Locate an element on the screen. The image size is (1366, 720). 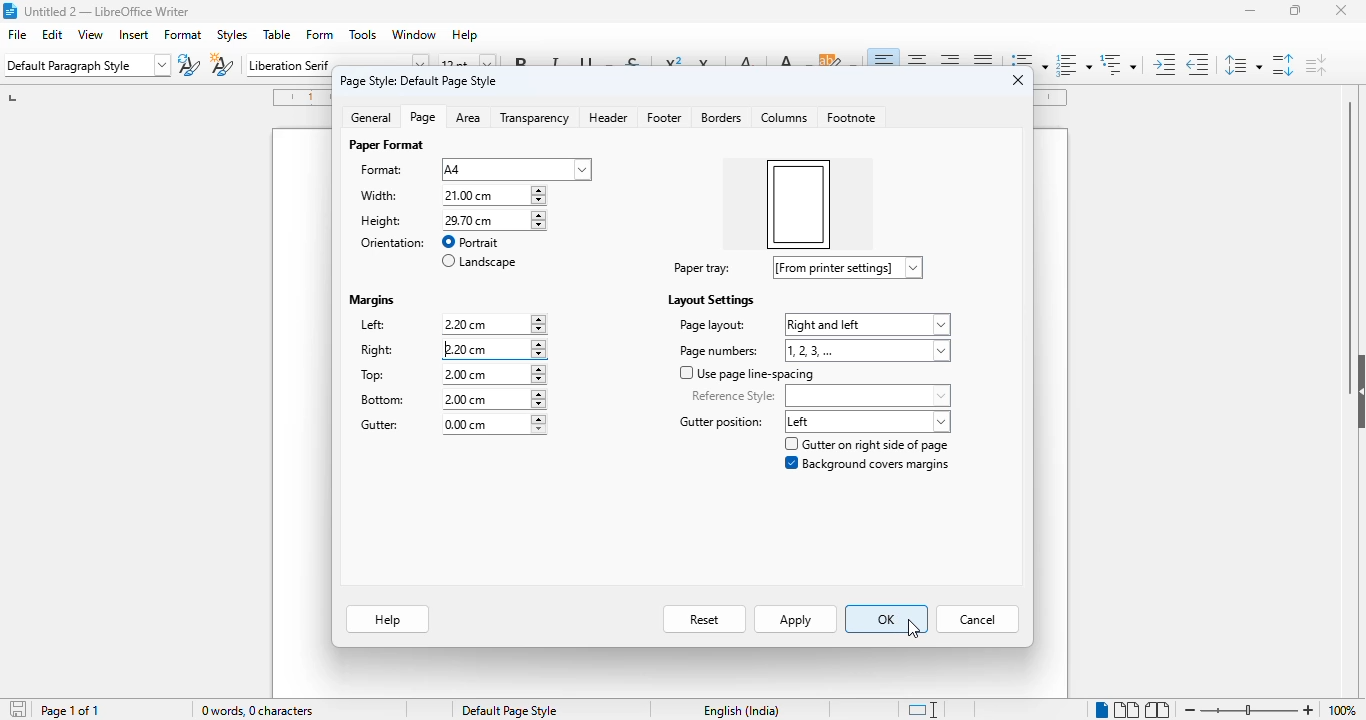
single-page view is located at coordinates (1101, 710).